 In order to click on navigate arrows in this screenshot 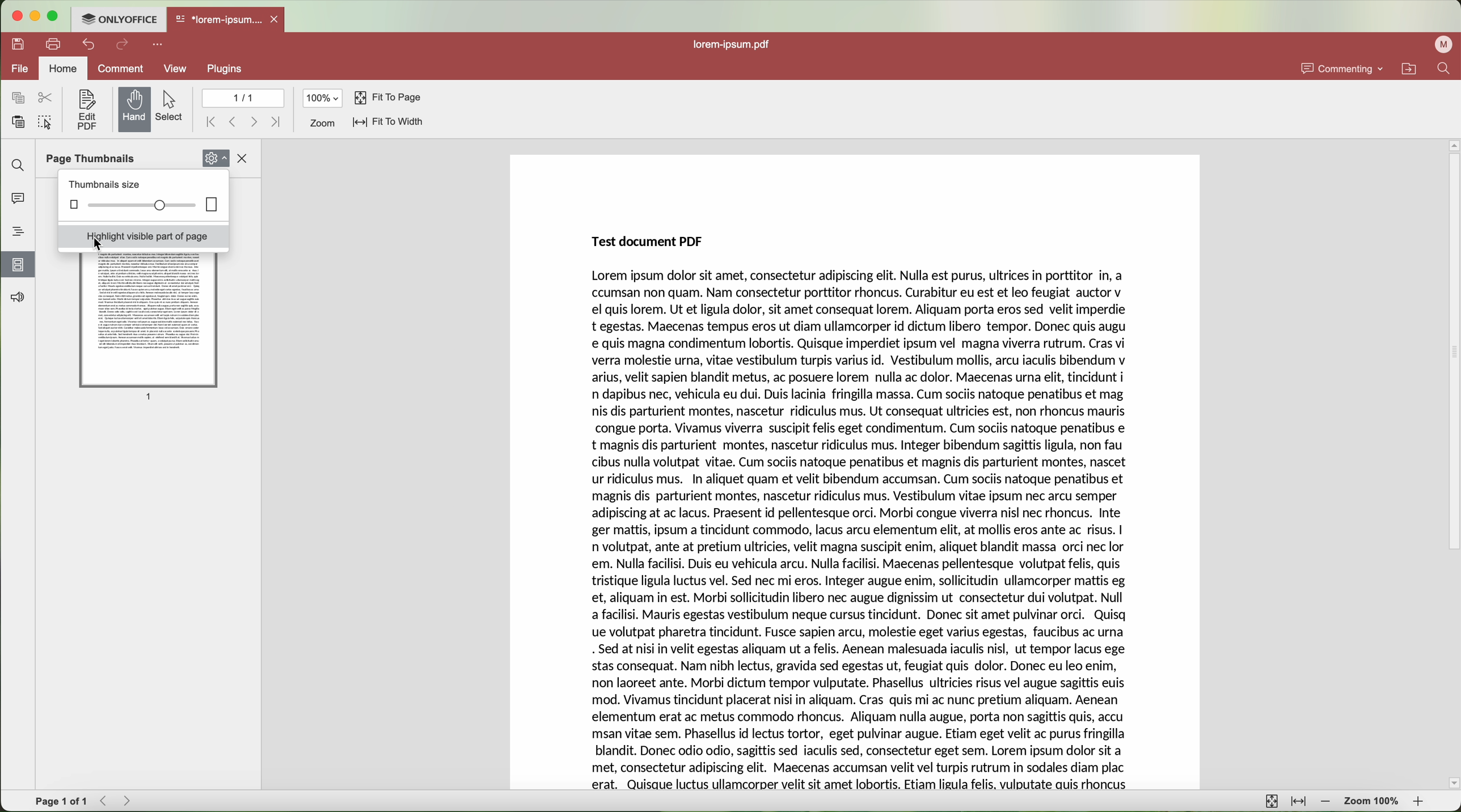, I will do `click(244, 122)`.